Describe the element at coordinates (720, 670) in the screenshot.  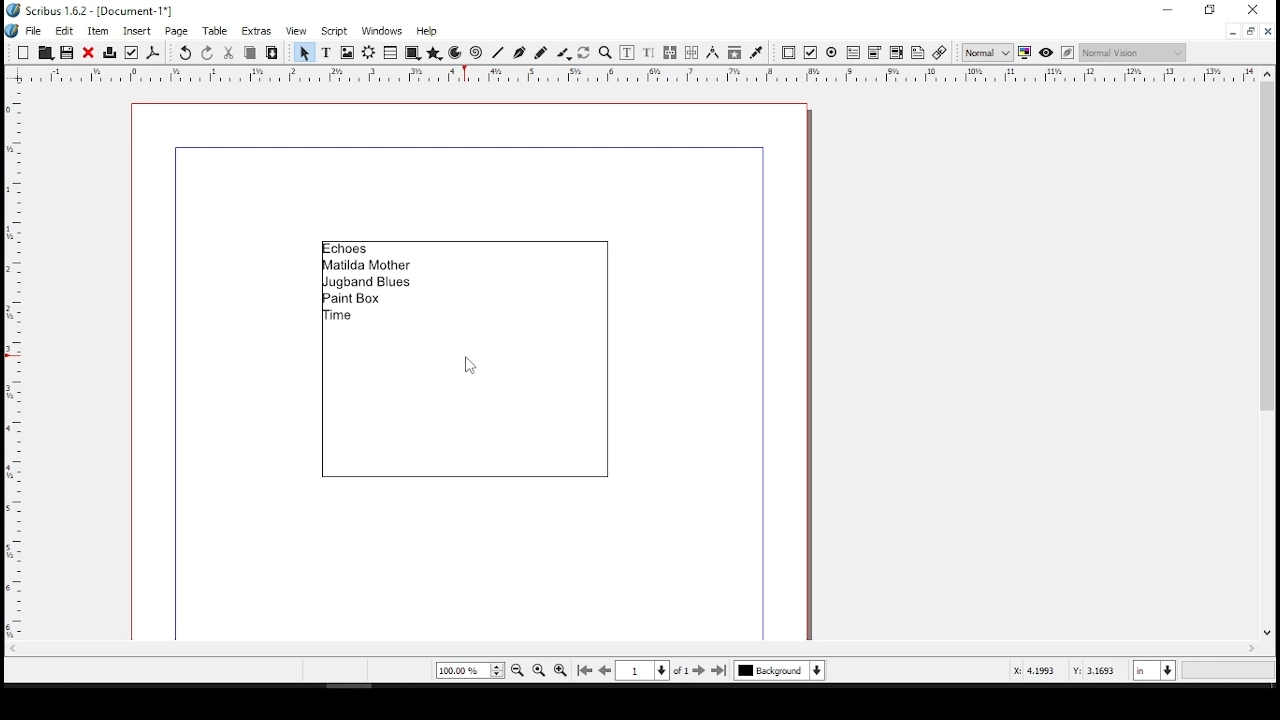
I see `last page` at that location.